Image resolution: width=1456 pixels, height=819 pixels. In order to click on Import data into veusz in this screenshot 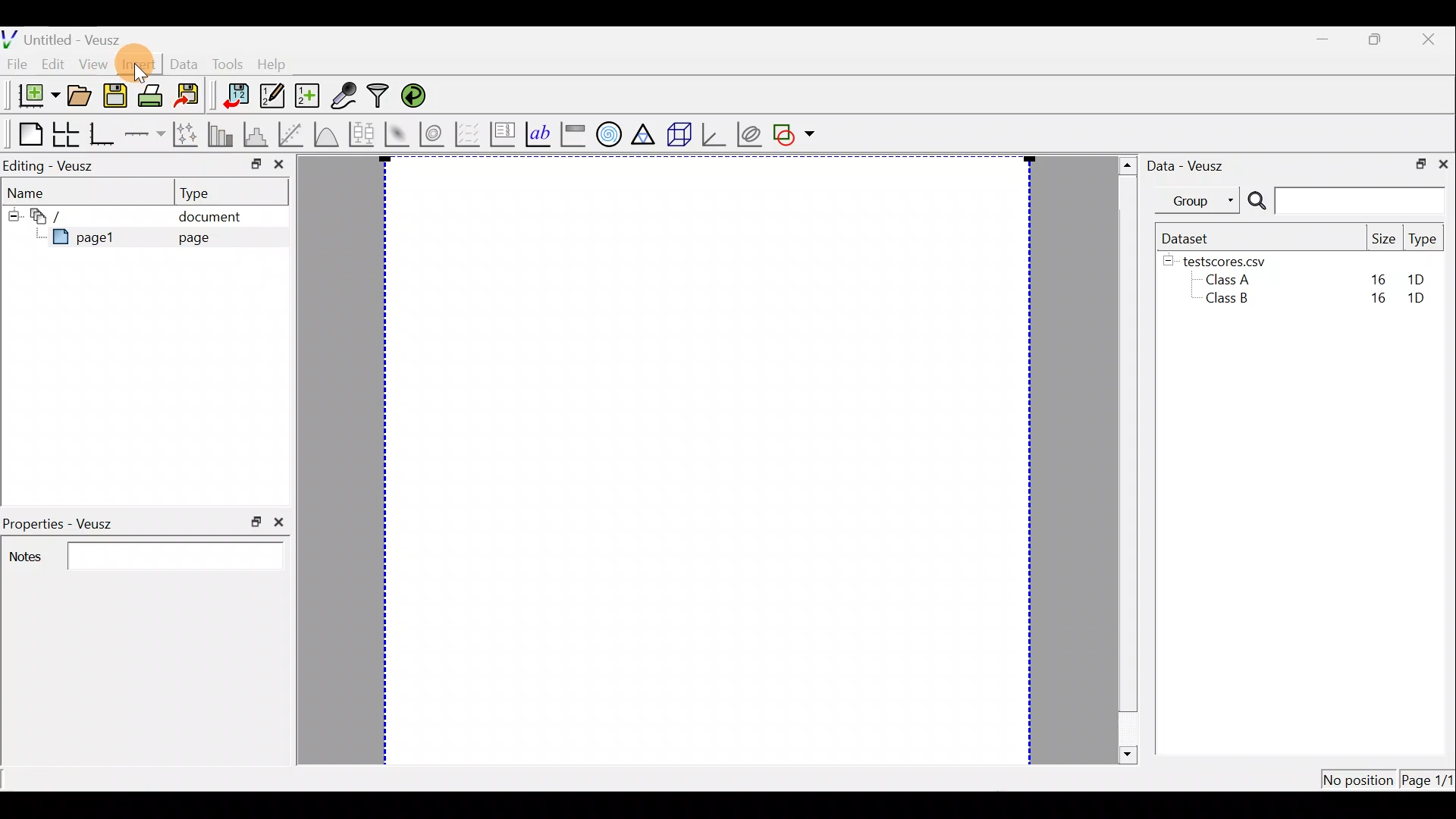, I will do `click(235, 96)`.